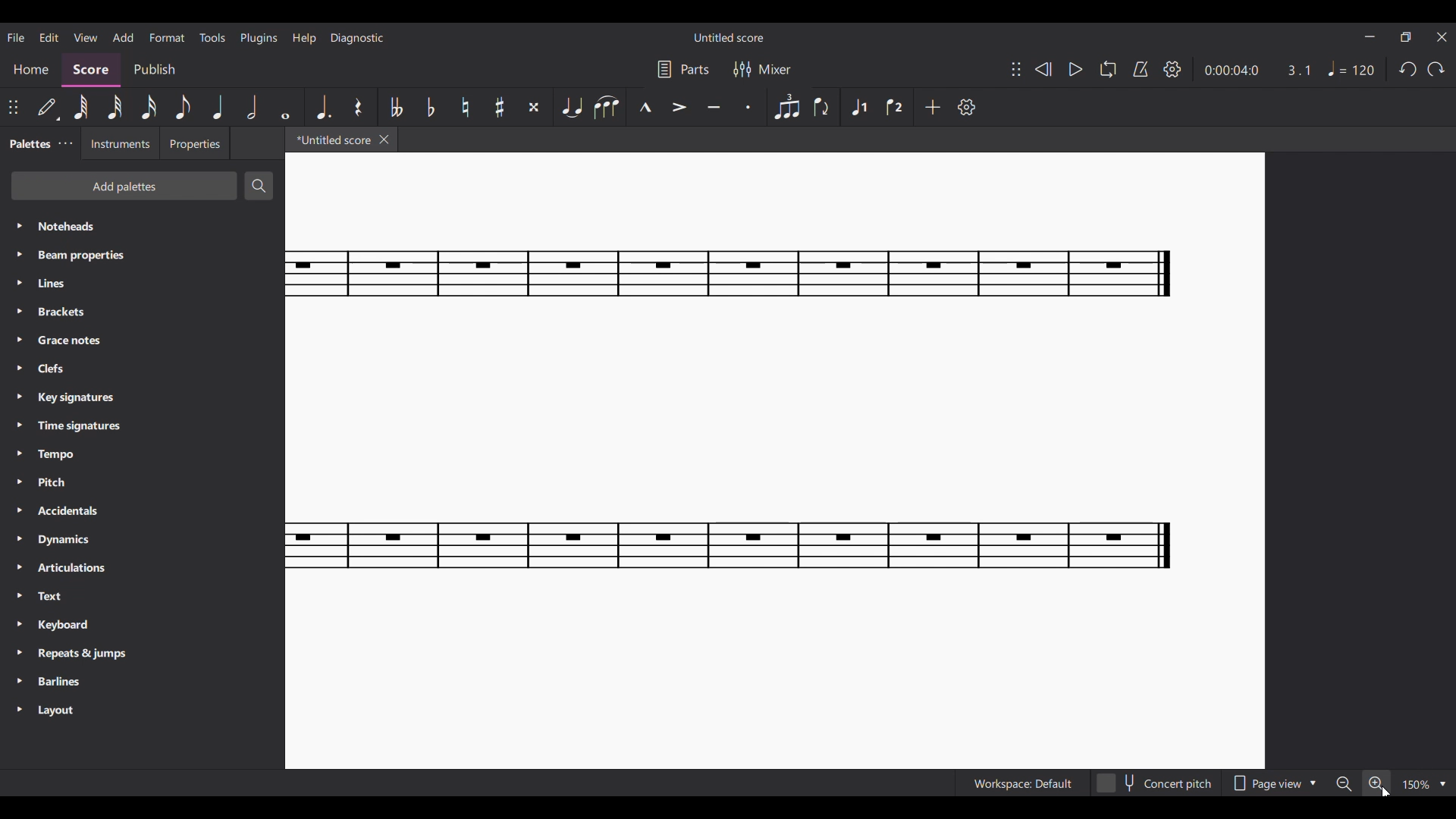 This screenshot has height=819, width=1456. What do you see at coordinates (1141, 70) in the screenshot?
I see `Metronome` at bounding box center [1141, 70].